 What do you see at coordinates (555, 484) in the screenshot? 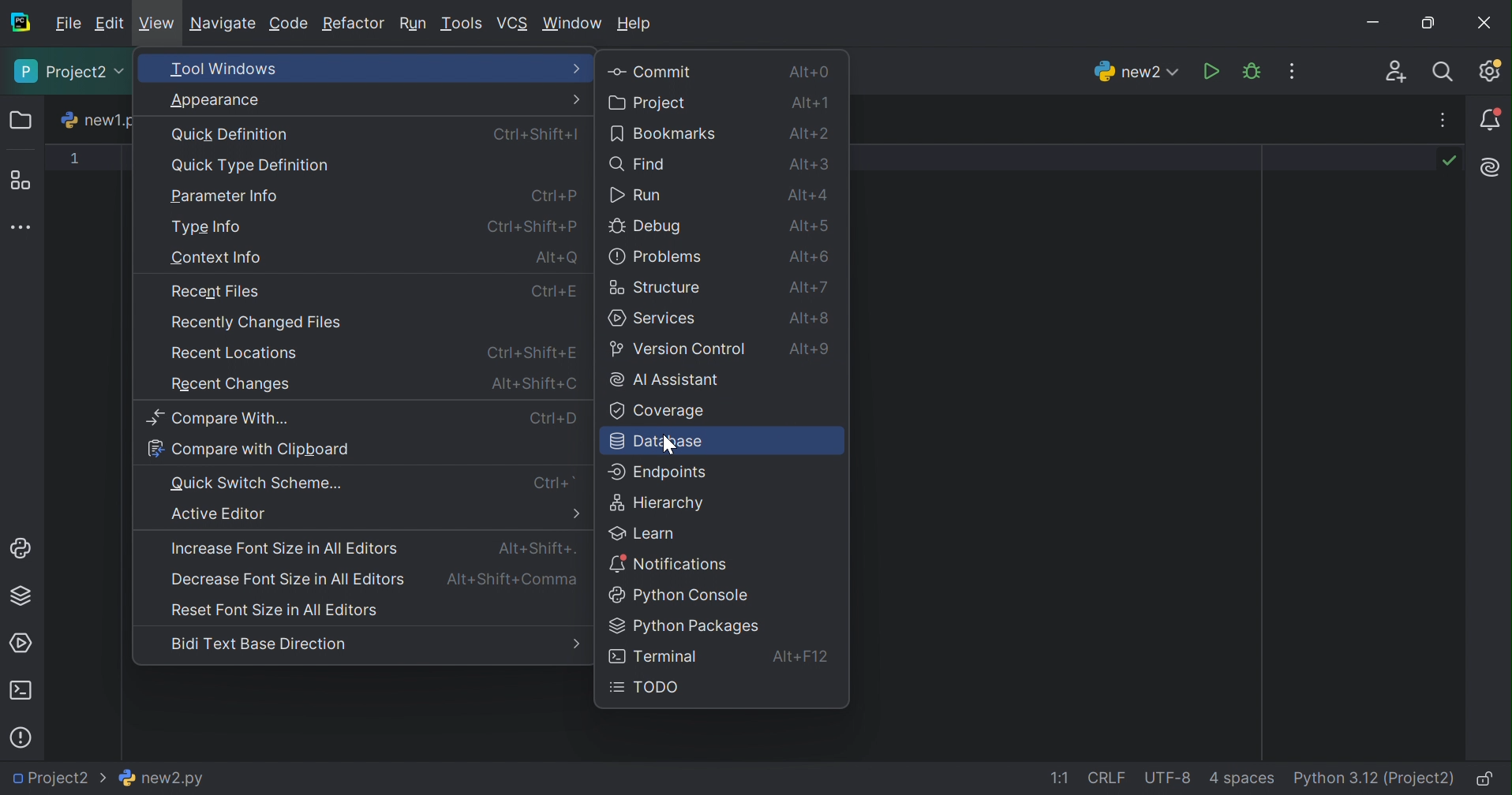
I see `Ctrl+`` at bounding box center [555, 484].